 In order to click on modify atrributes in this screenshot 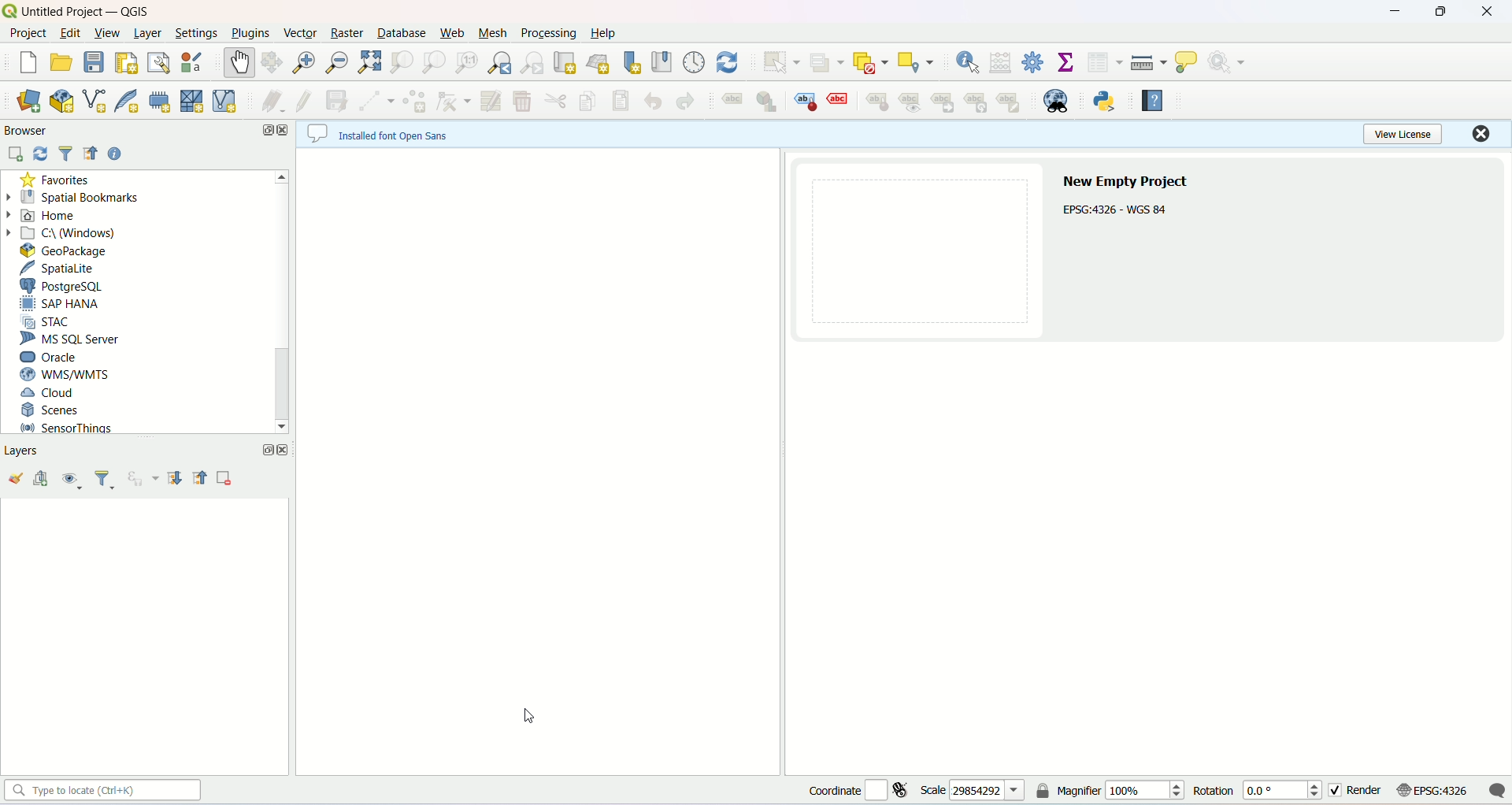, I will do `click(489, 102)`.